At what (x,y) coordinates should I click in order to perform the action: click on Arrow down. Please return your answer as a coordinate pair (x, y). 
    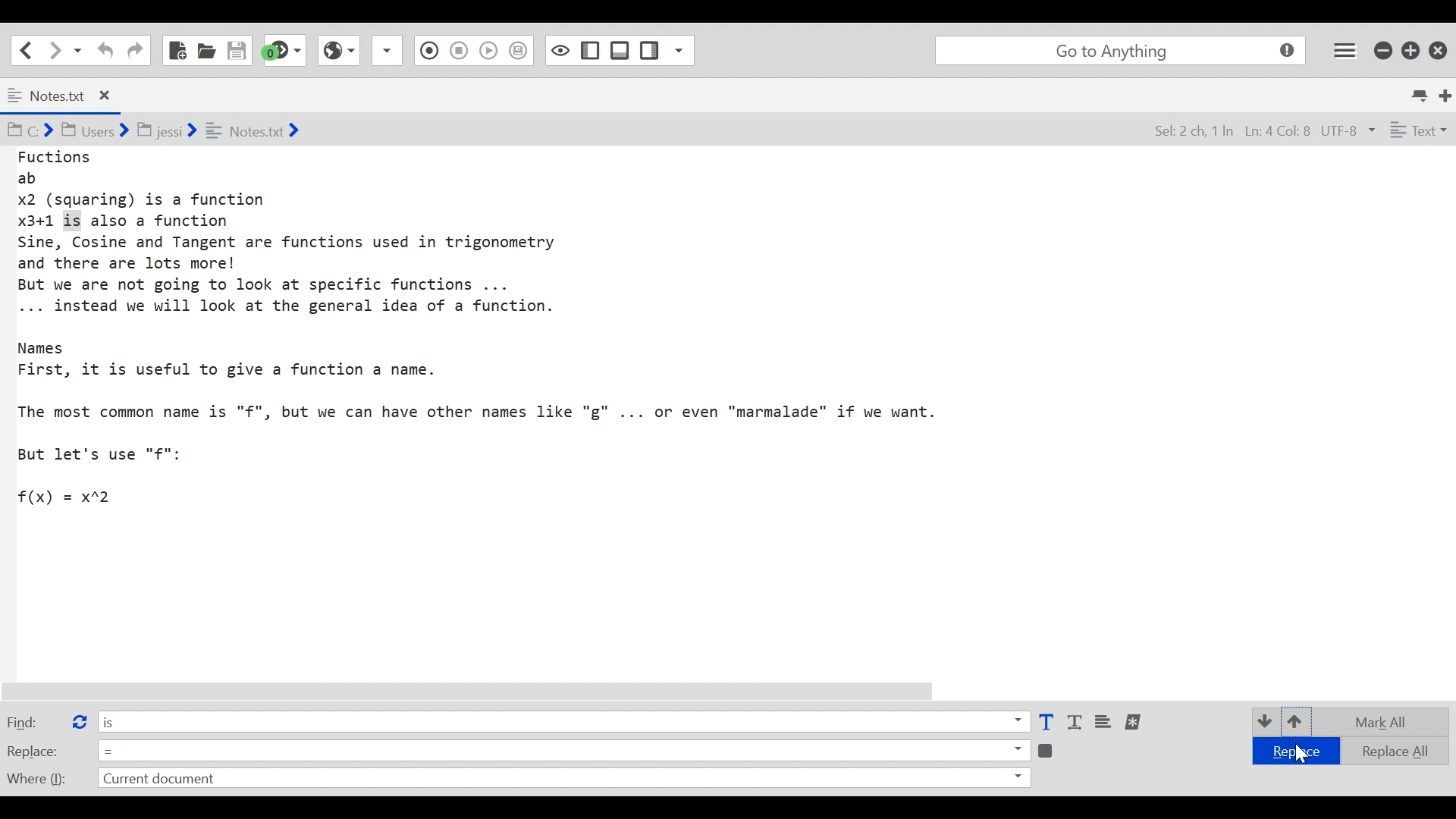
    Looking at the image, I should click on (1263, 720).